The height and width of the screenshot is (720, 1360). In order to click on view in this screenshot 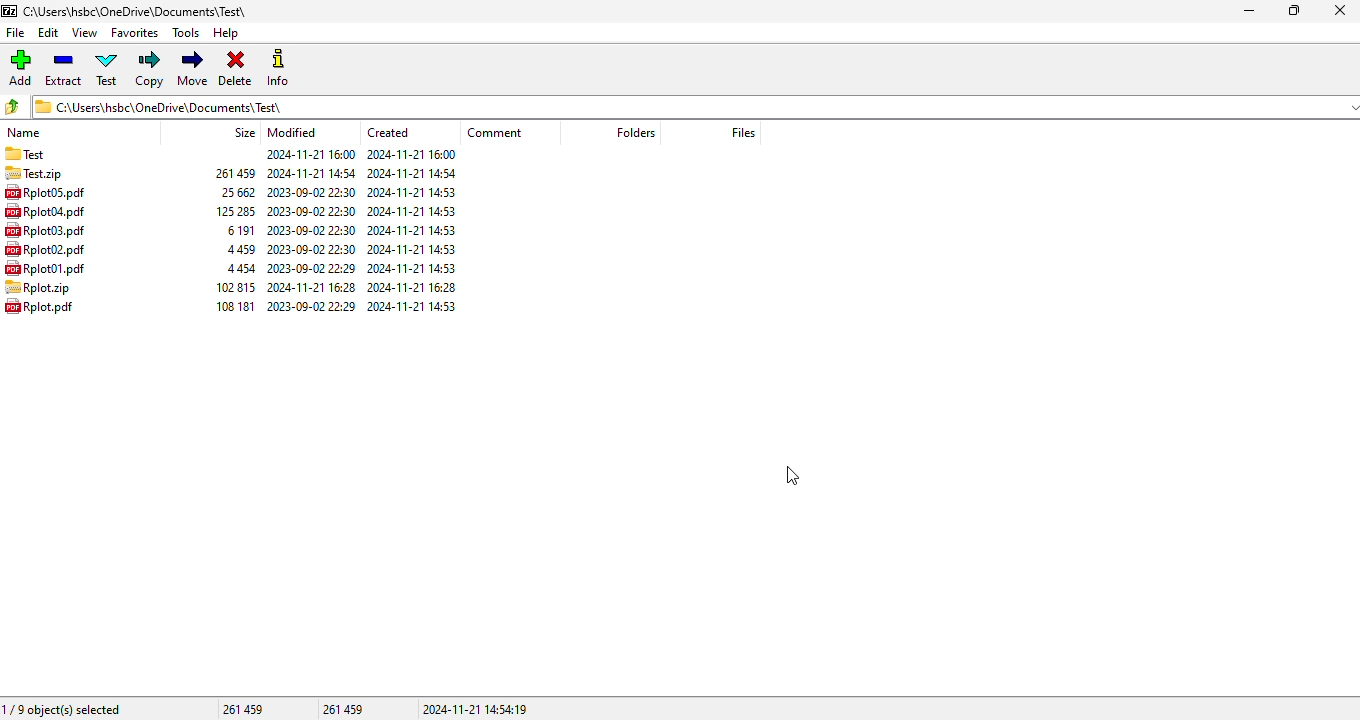, I will do `click(86, 32)`.